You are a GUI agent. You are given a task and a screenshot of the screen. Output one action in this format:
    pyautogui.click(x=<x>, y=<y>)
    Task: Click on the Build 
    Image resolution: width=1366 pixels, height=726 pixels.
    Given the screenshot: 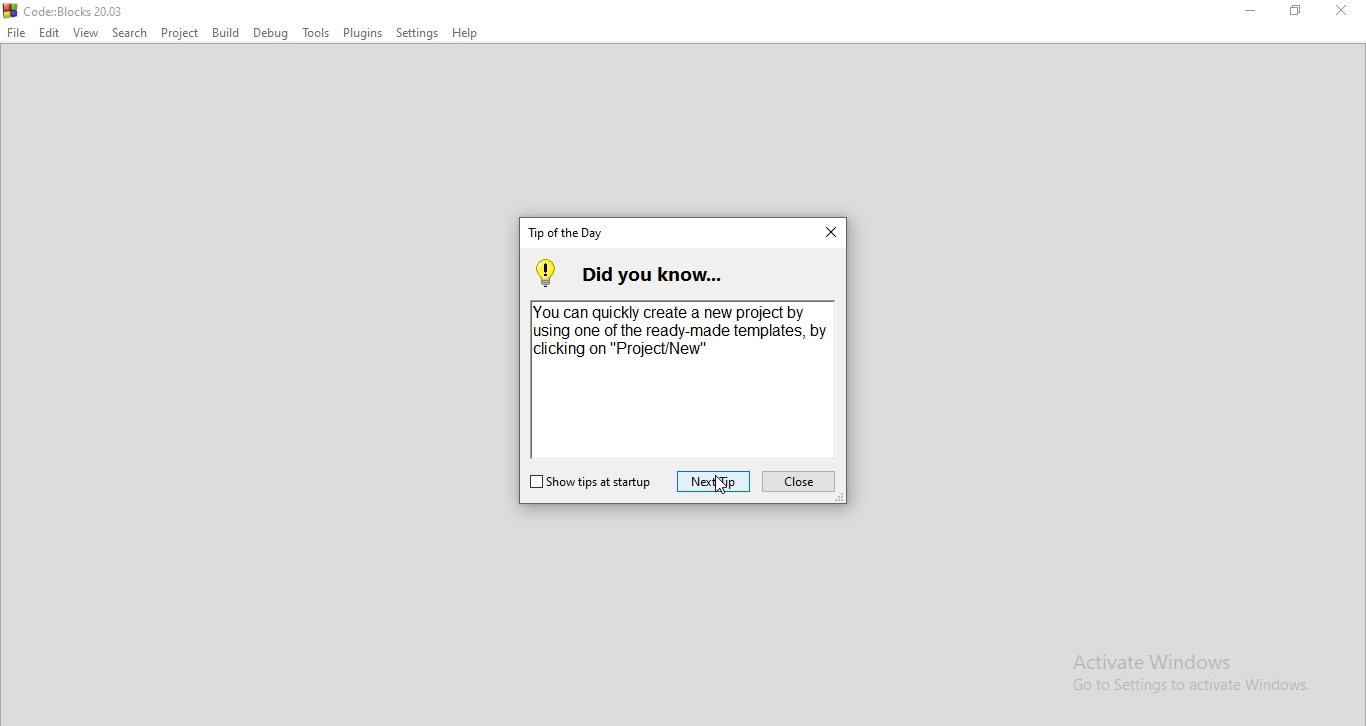 What is the action you would take?
    pyautogui.click(x=225, y=33)
    